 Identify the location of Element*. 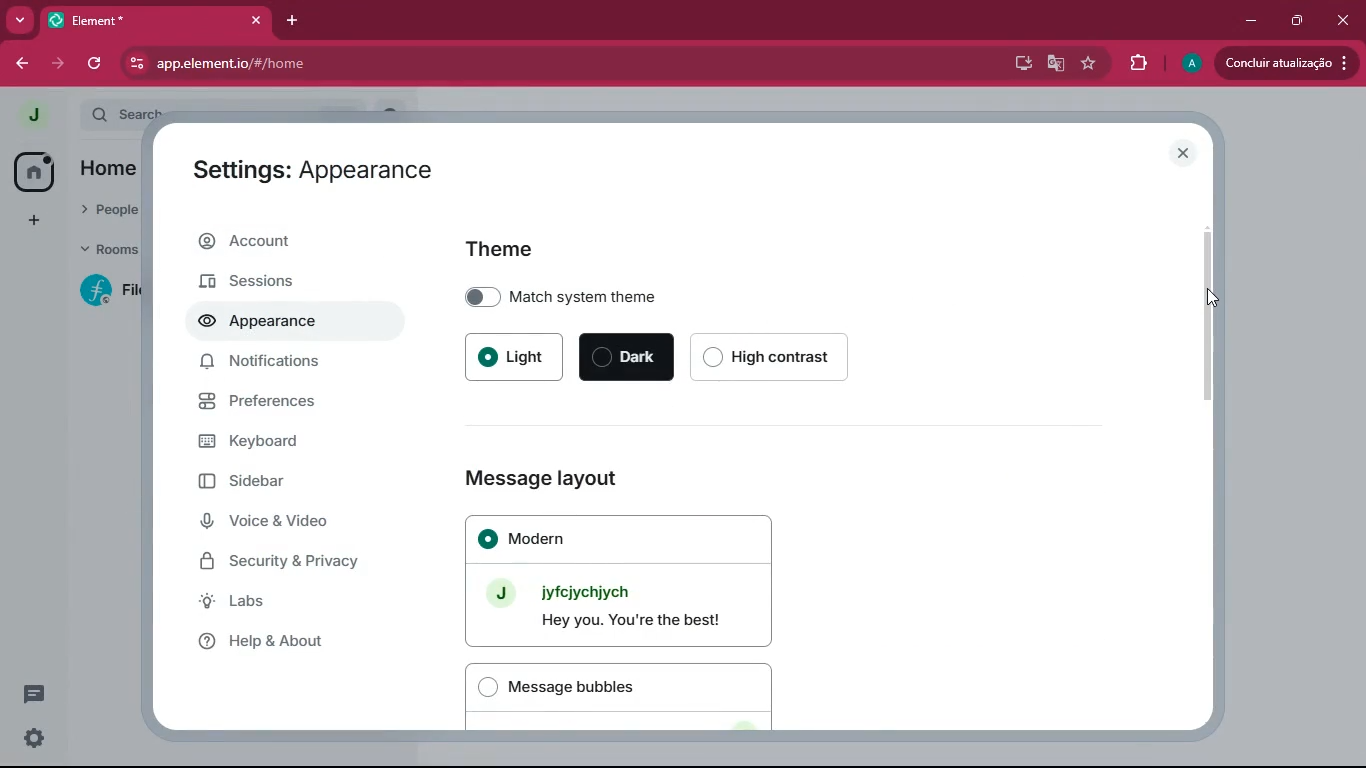
(143, 19).